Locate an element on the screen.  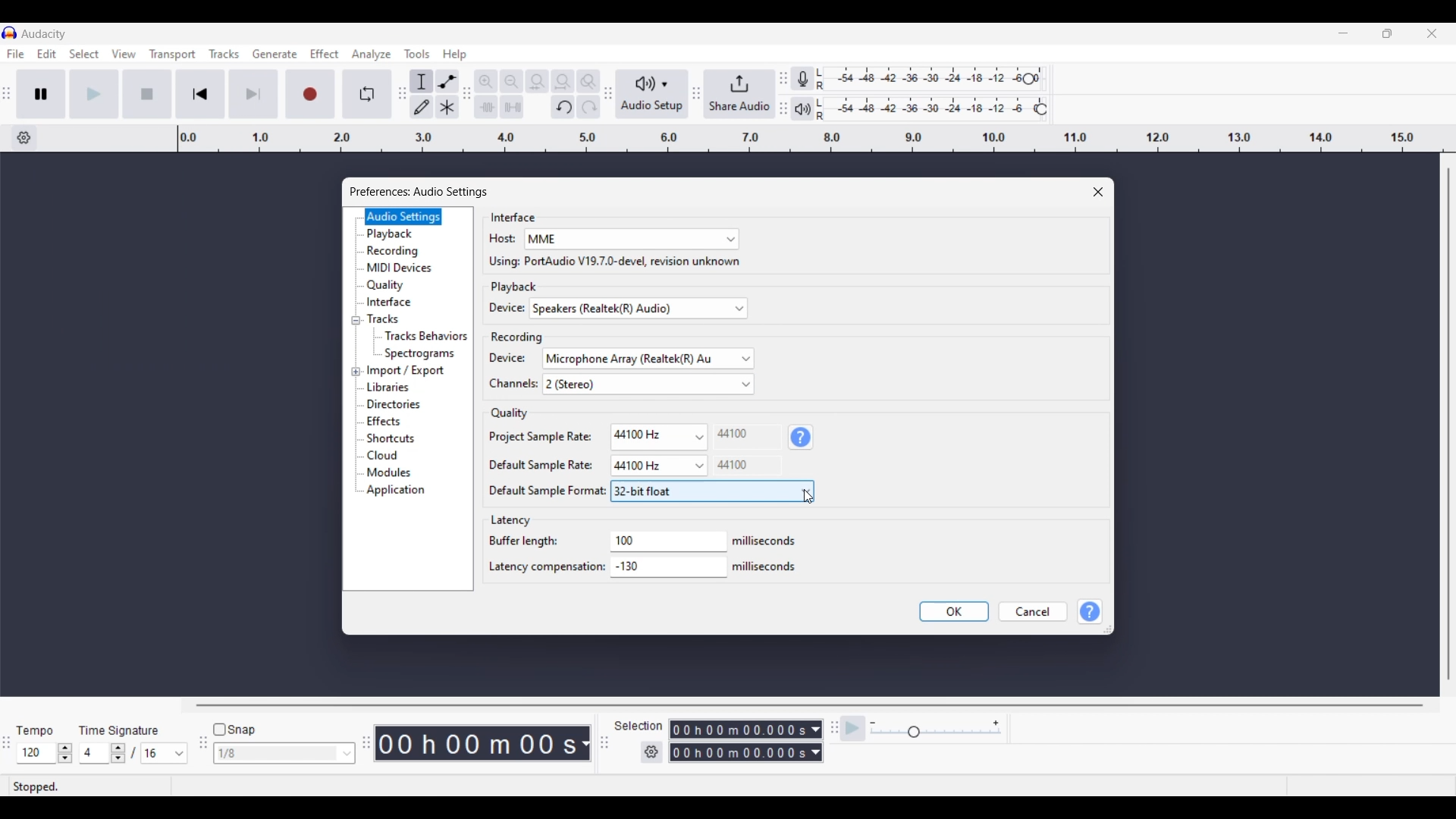
Application is located at coordinates (400, 491).